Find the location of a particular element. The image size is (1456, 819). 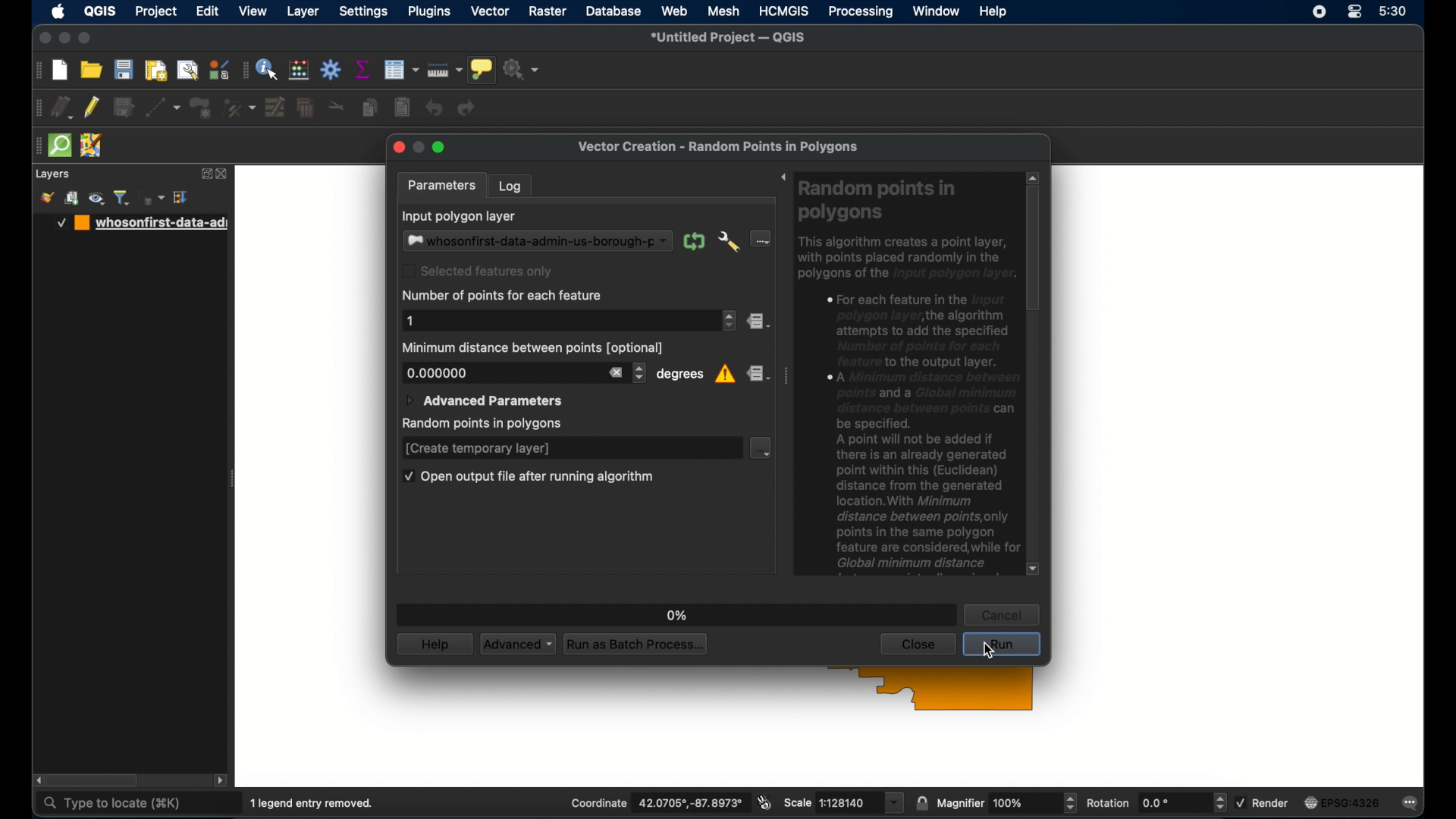

advanced is located at coordinates (518, 645).